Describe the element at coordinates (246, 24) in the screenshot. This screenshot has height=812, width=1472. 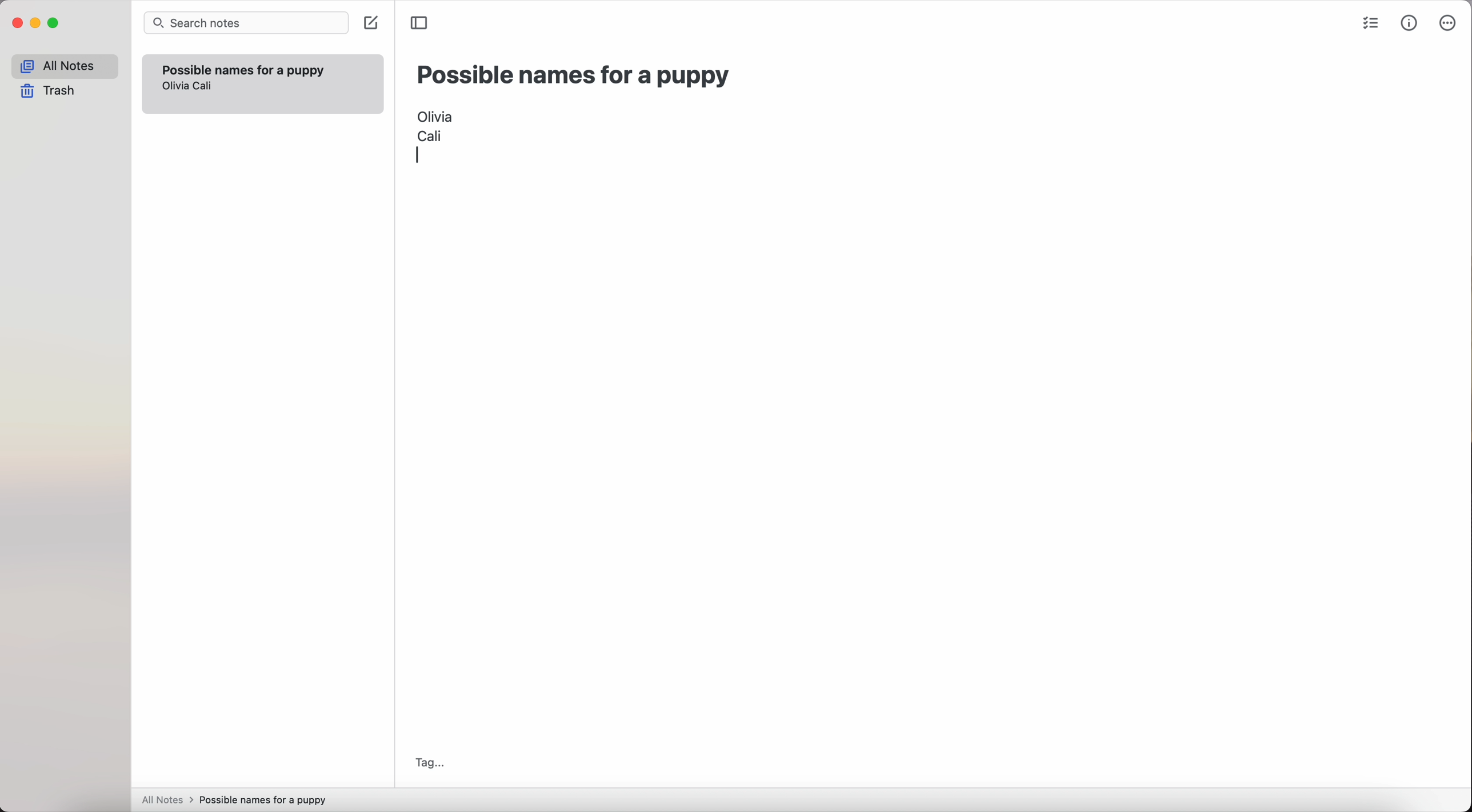
I see `search bar` at that location.